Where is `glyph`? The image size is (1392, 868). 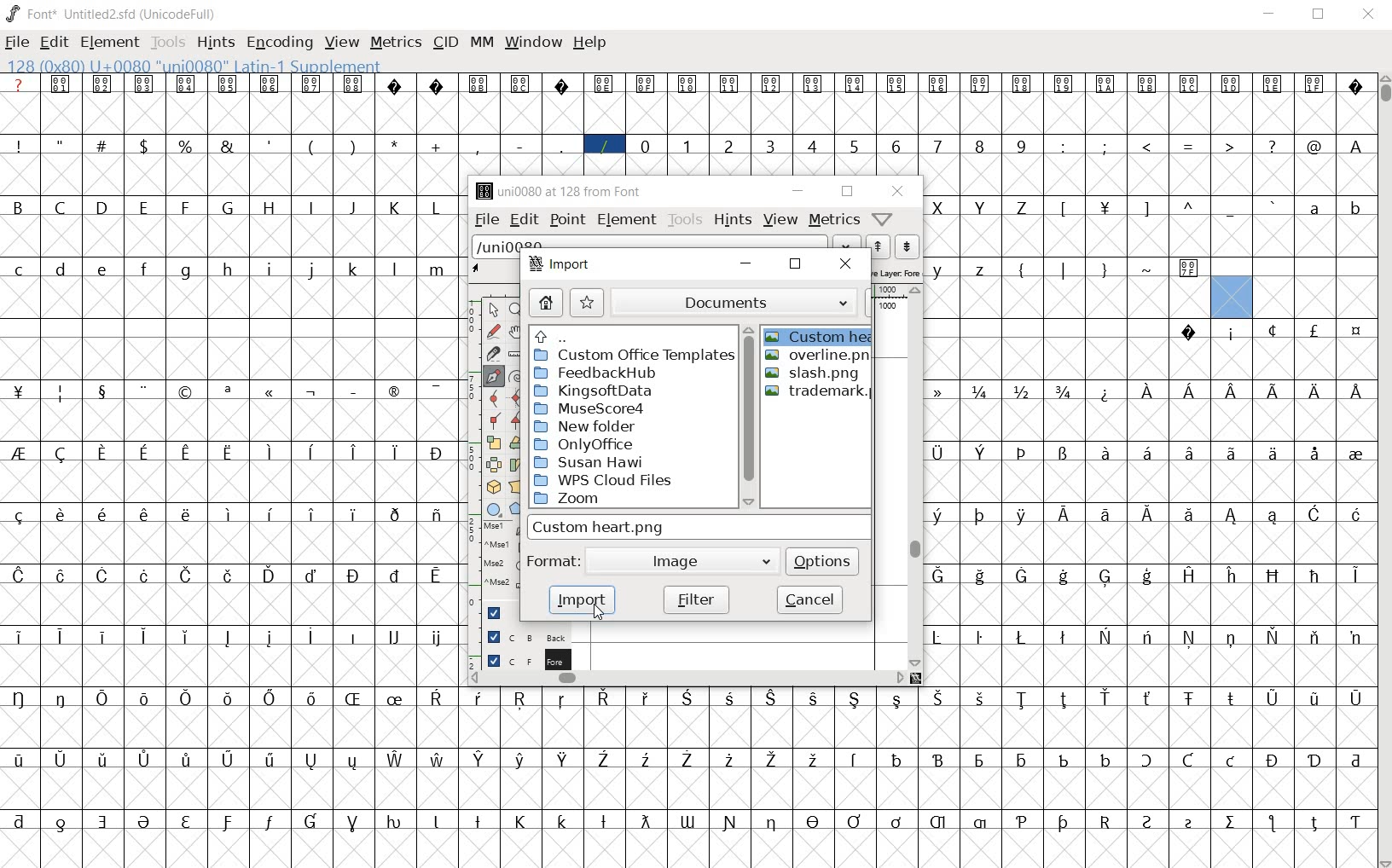
glyph is located at coordinates (61, 698).